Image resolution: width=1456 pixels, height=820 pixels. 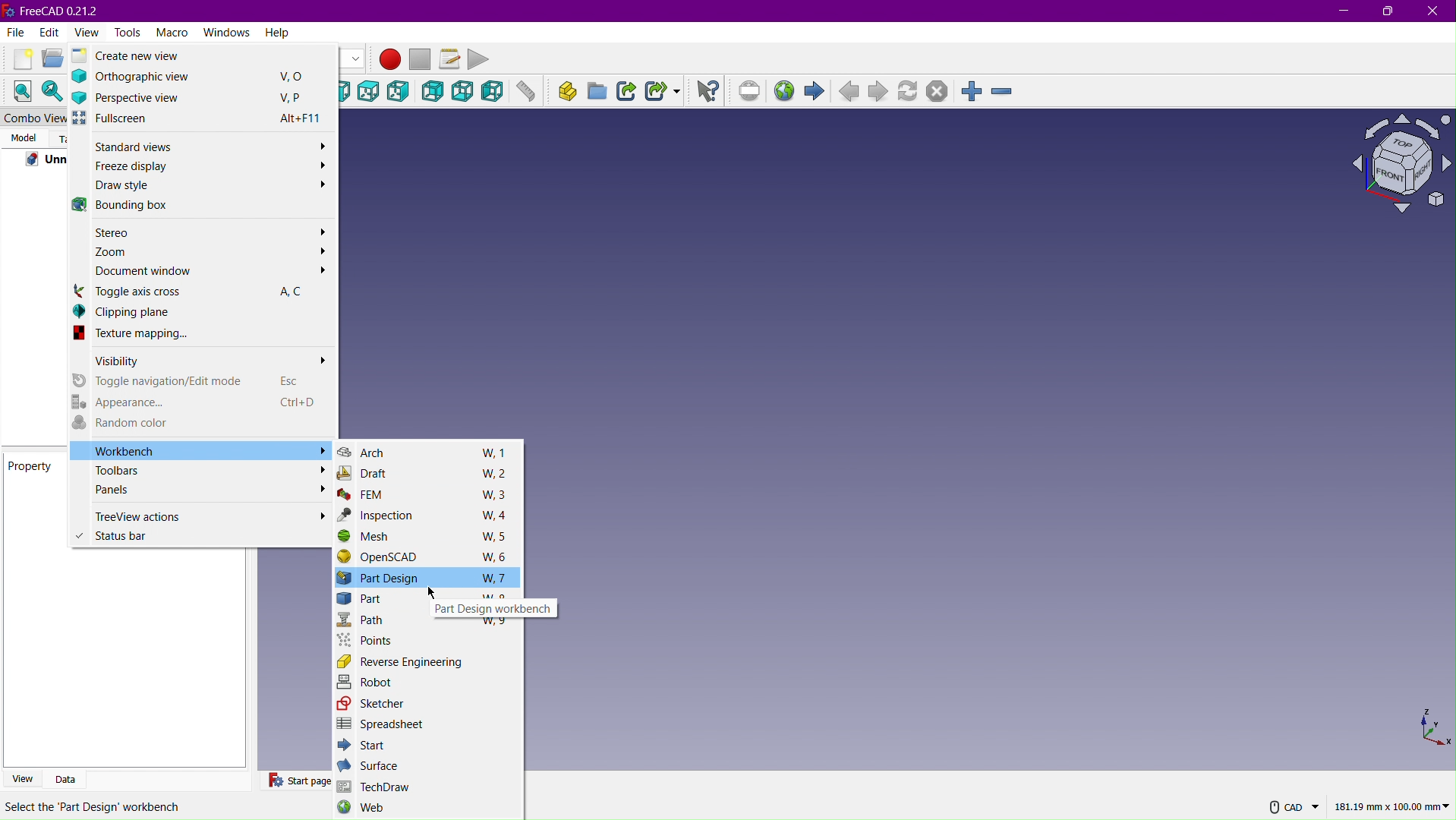 What do you see at coordinates (49, 32) in the screenshot?
I see `Edit` at bounding box center [49, 32].